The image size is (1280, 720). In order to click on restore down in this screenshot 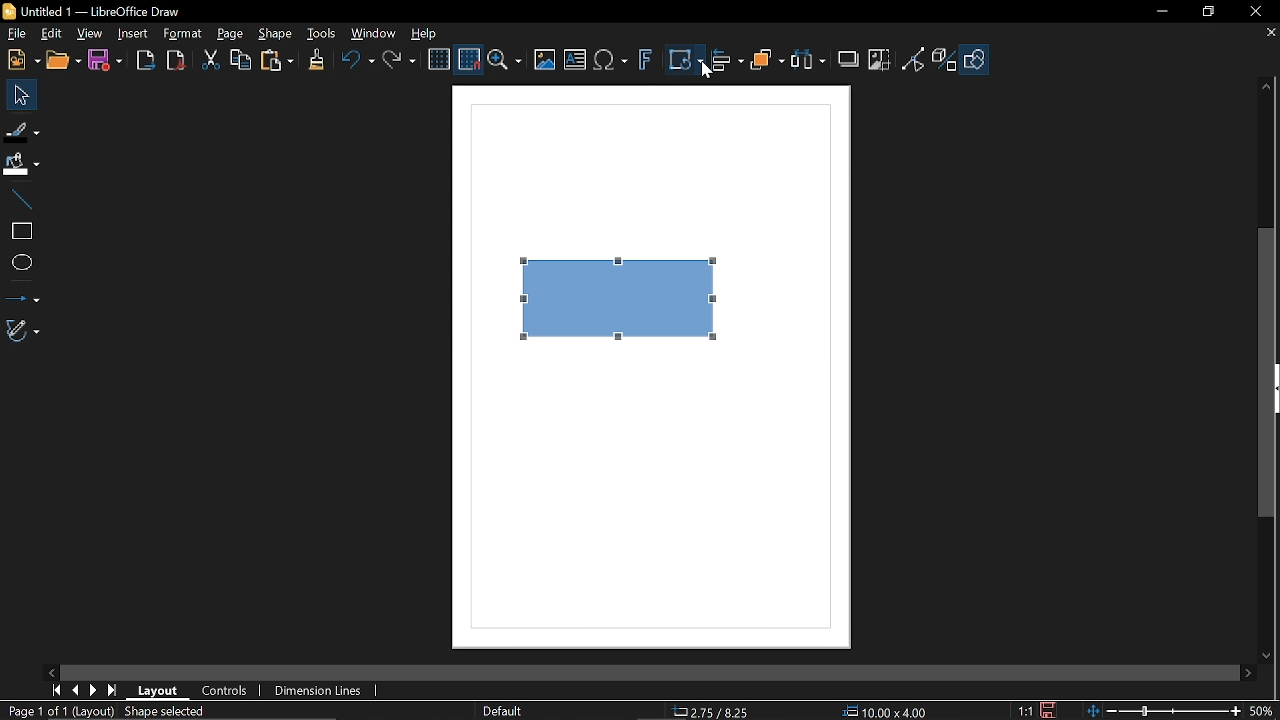, I will do `click(1206, 13)`.